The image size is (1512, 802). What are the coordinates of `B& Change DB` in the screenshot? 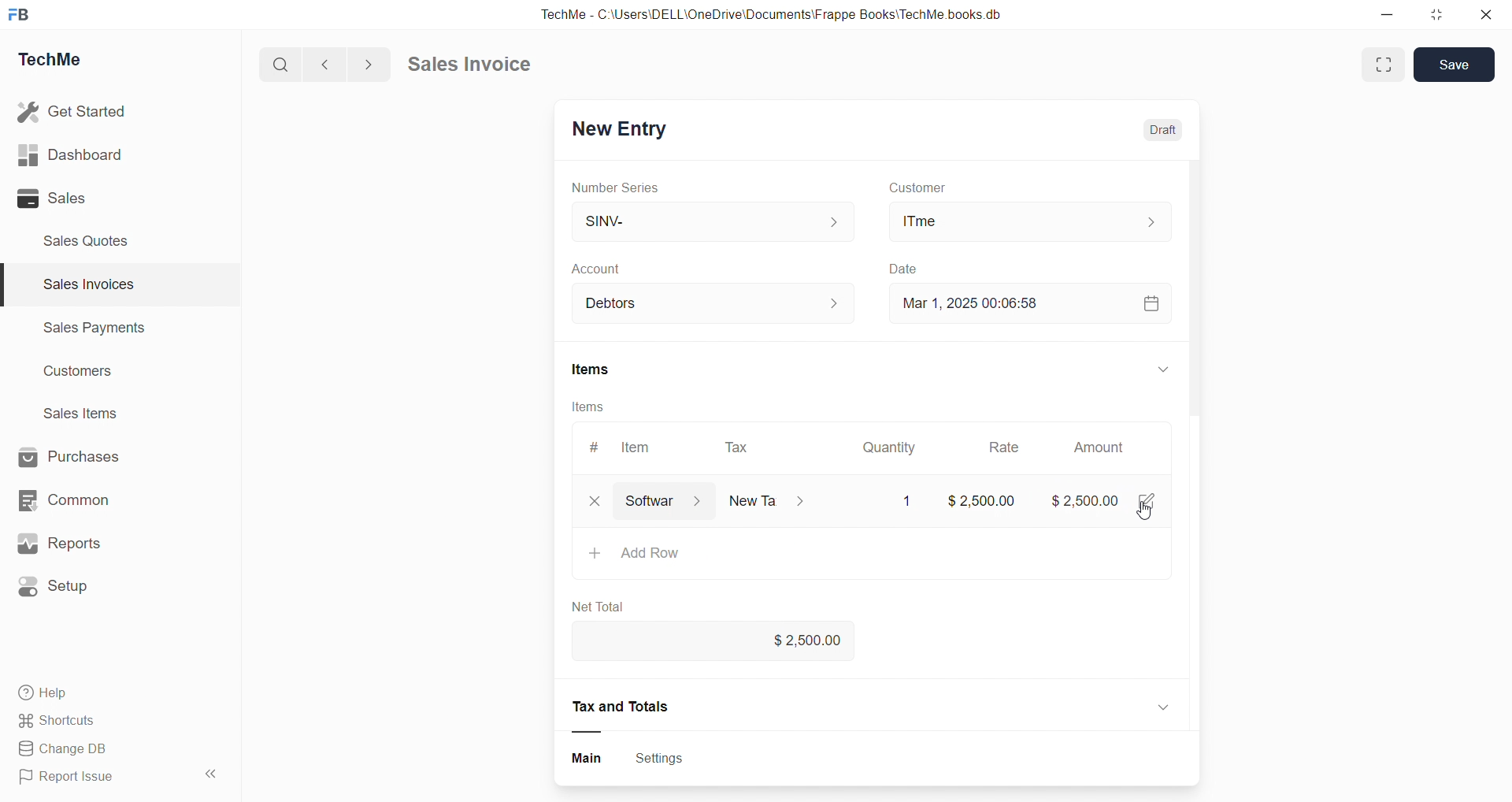 It's located at (69, 750).